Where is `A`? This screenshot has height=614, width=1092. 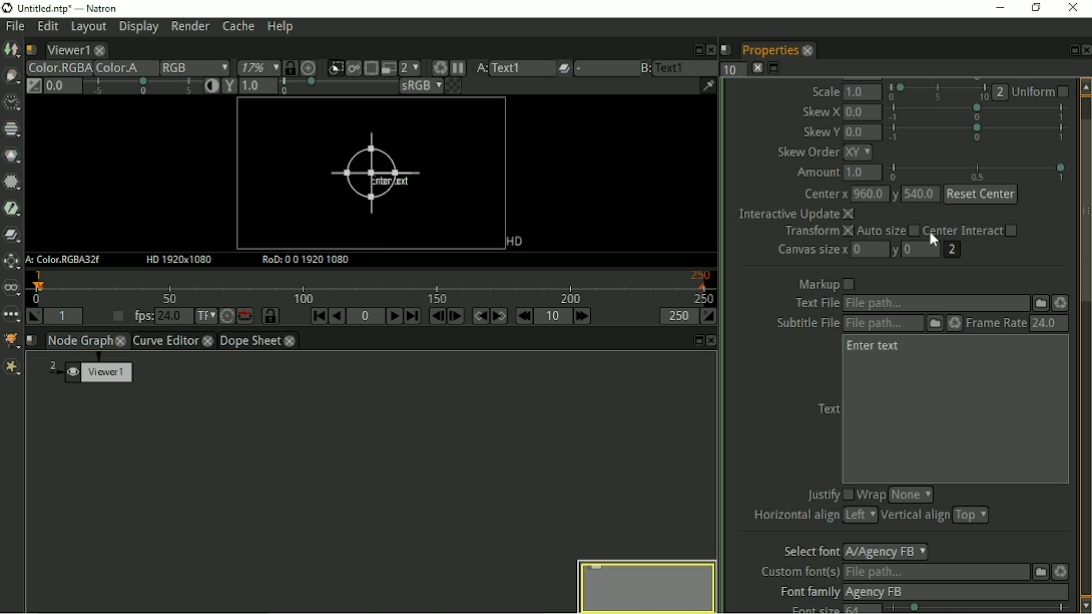
A is located at coordinates (480, 68).